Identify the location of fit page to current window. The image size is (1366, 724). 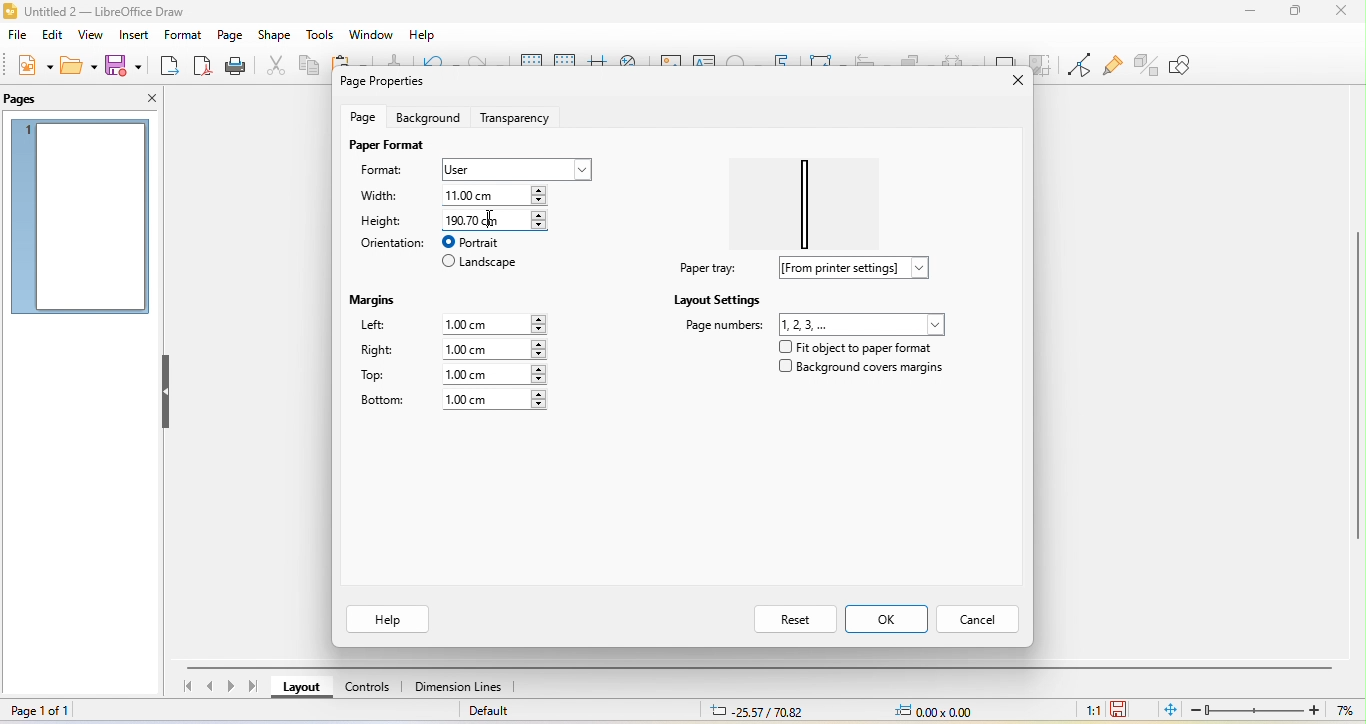
(1169, 709).